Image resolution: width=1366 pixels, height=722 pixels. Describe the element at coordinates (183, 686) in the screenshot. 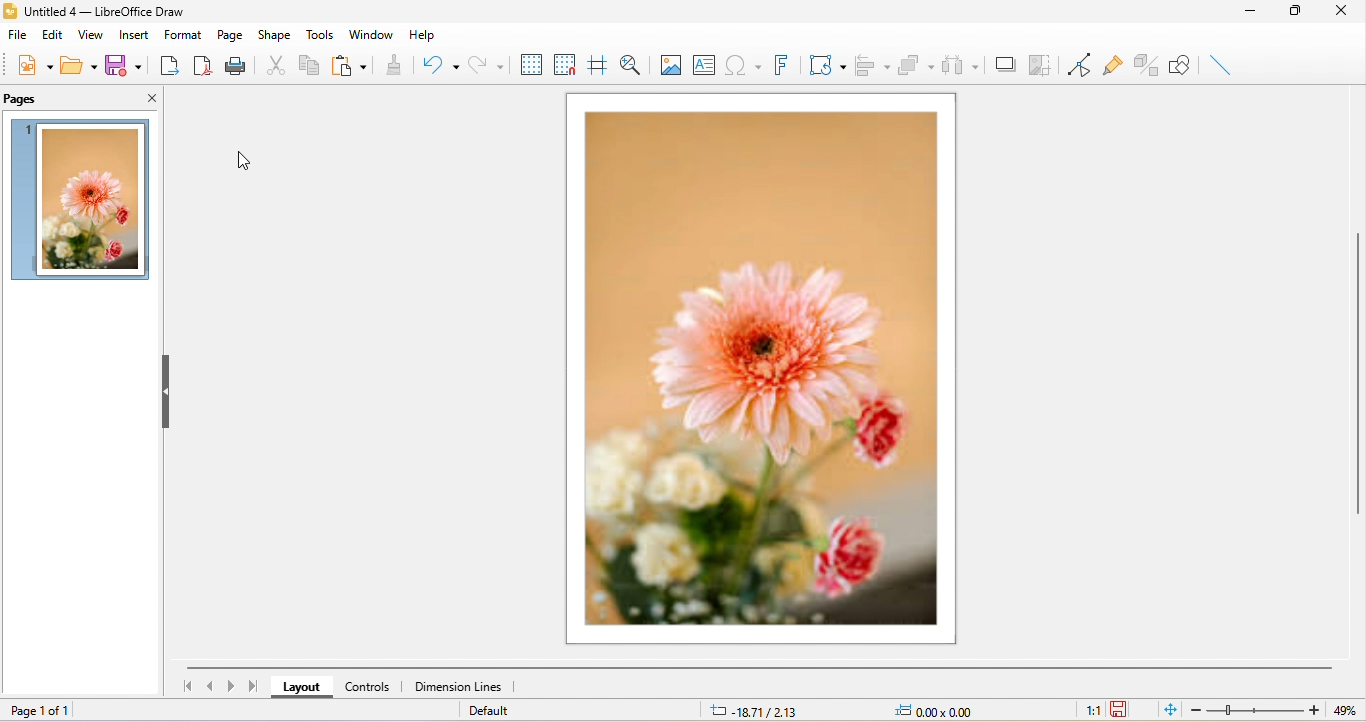

I see `first page` at that location.